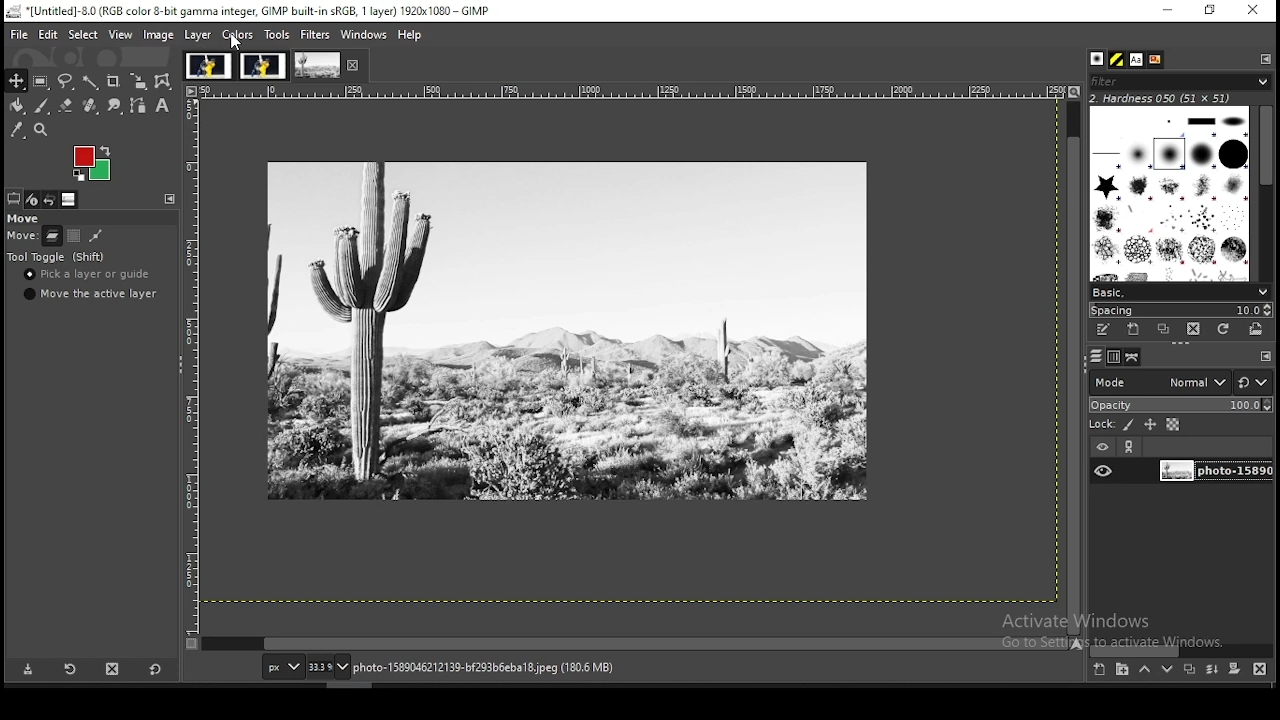  Describe the element at coordinates (1180, 81) in the screenshot. I see `filter brushes` at that location.